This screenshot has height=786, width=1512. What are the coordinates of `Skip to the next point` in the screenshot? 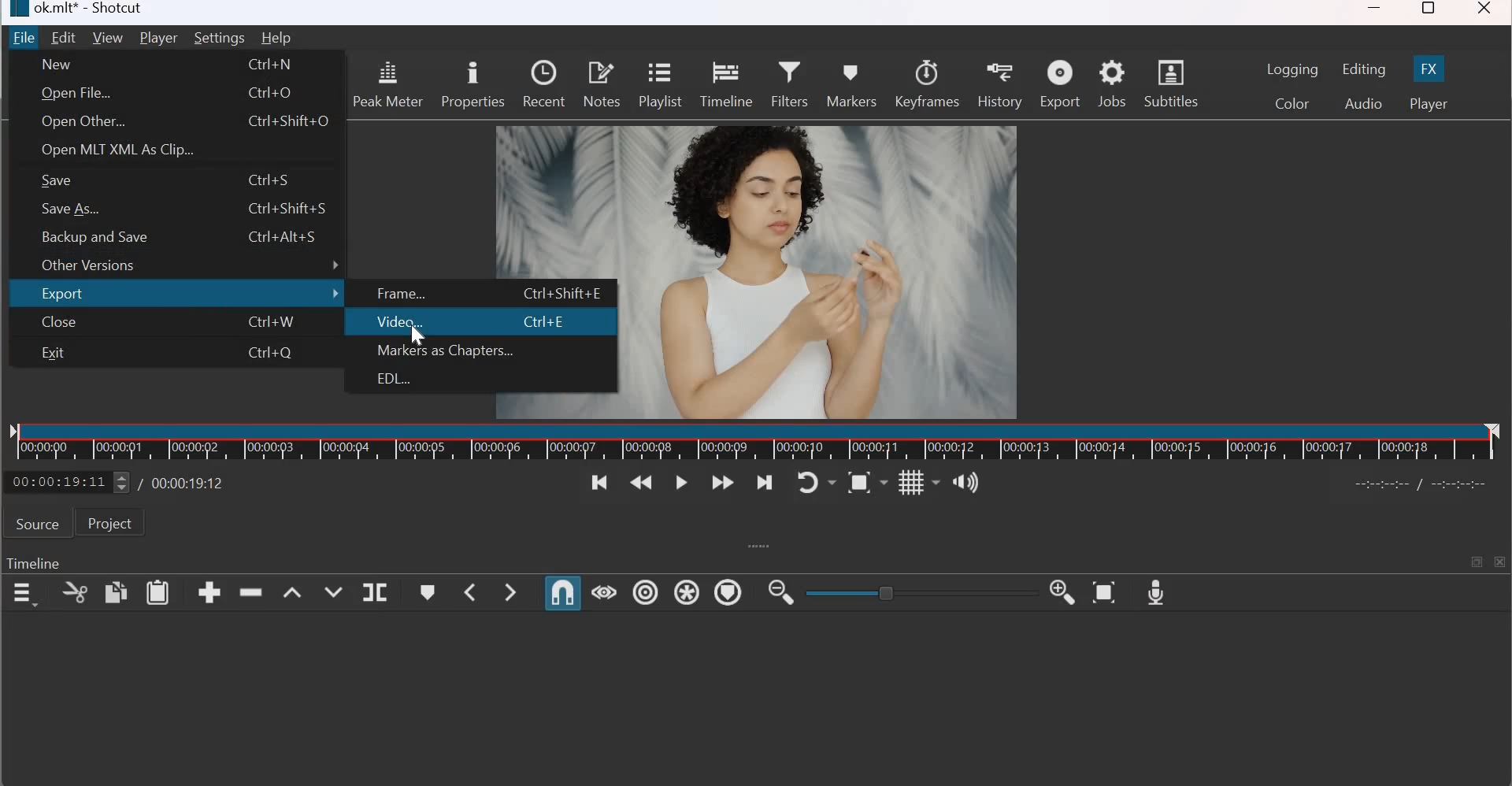 It's located at (765, 482).